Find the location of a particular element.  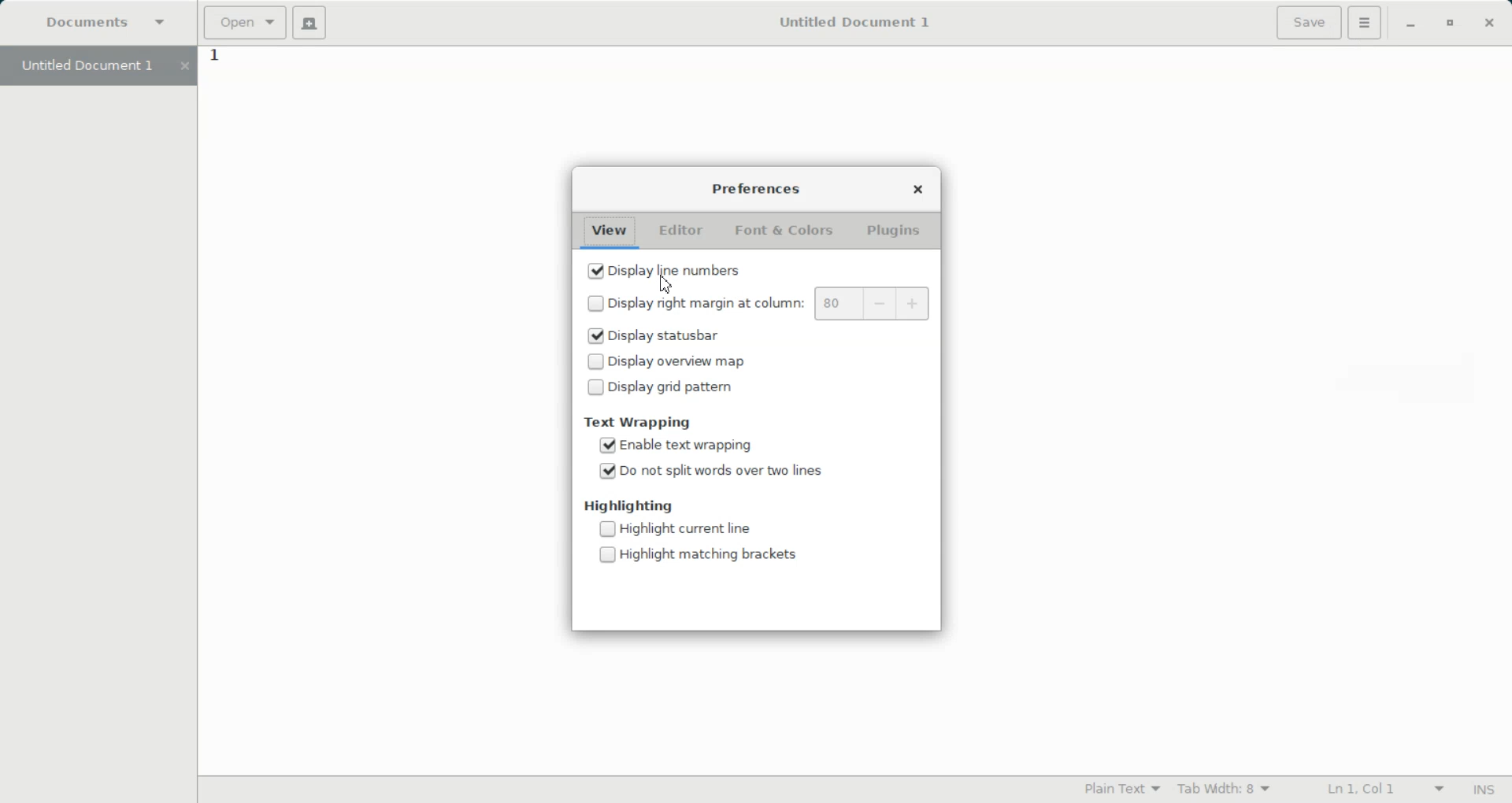

Minimize is located at coordinates (1412, 24).